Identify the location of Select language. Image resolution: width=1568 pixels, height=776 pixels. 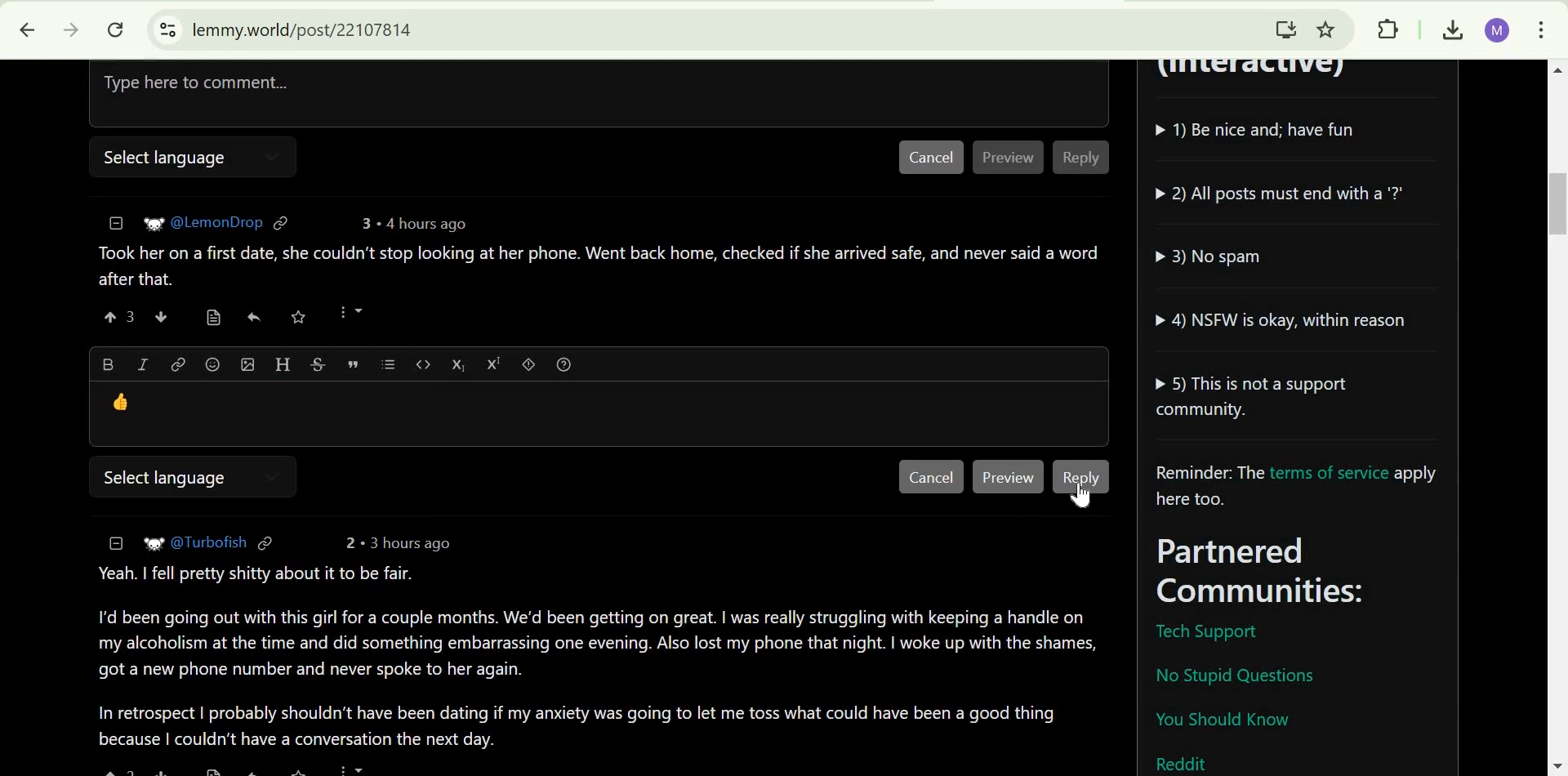
(160, 158).